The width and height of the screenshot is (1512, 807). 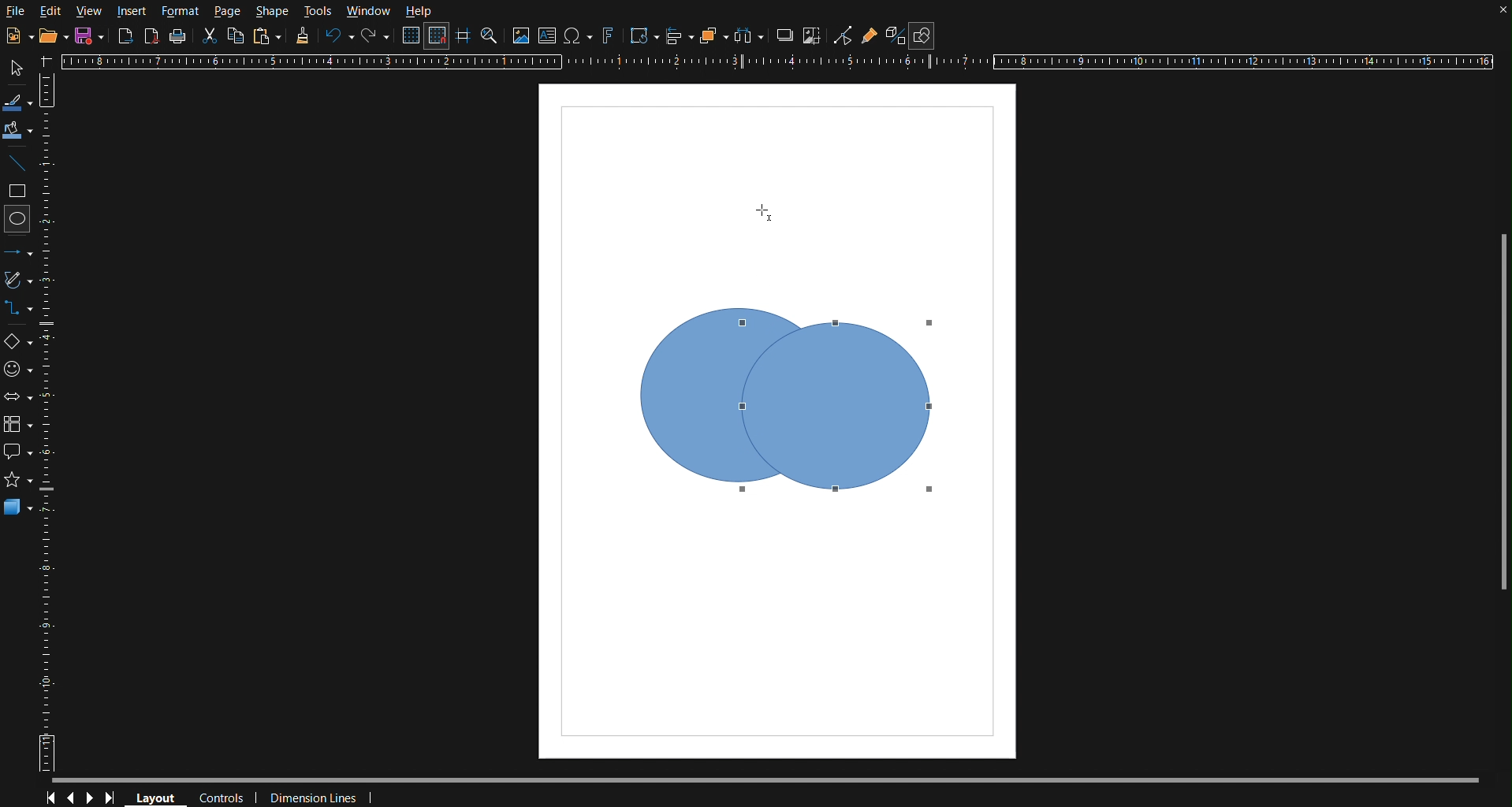 What do you see at coordinates (1497, 13) in the screenshot?
I see `close` at bounding box center [1497, 13].